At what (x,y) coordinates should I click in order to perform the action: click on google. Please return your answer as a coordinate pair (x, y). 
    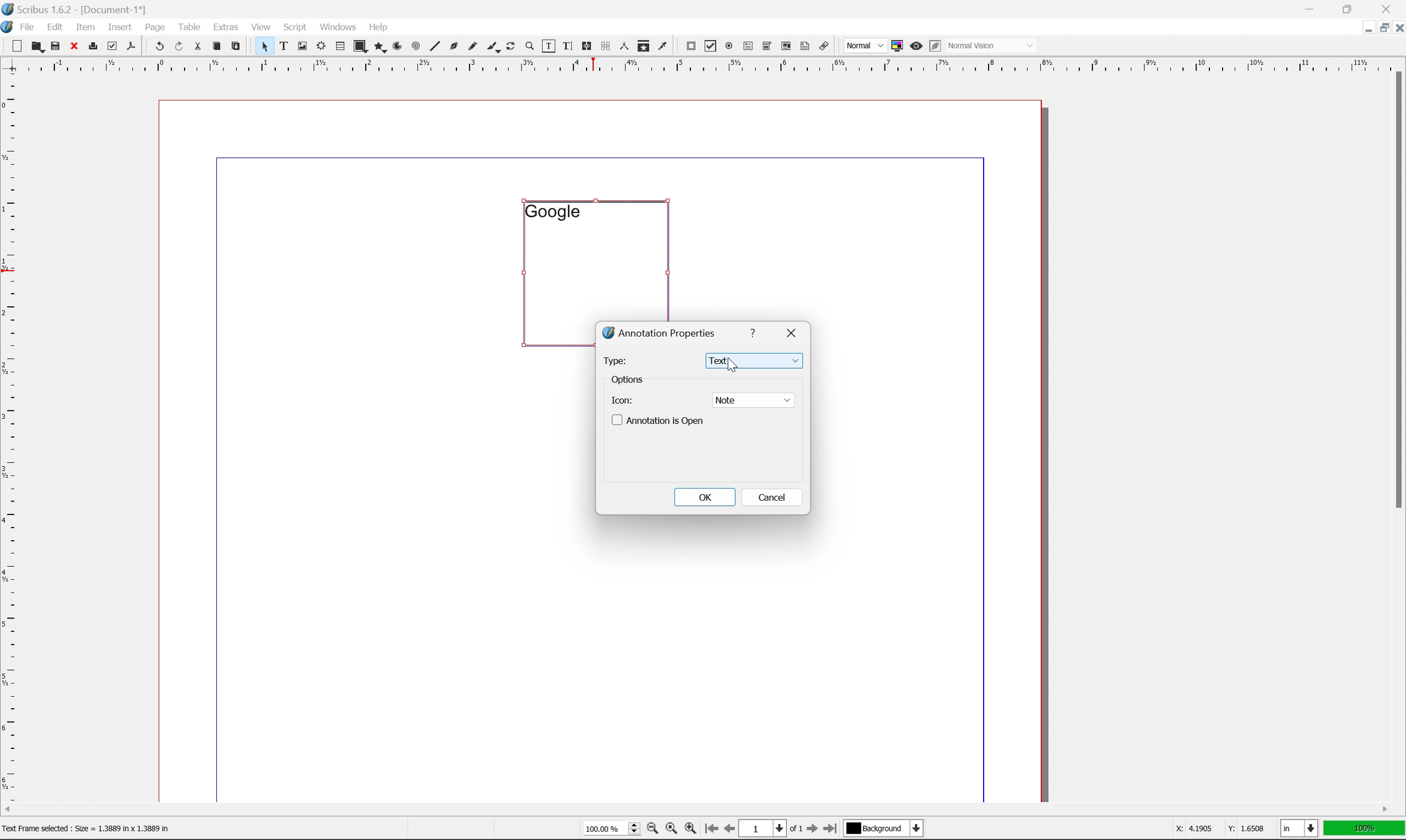
    Looking at the image, I should click on (552, 211).